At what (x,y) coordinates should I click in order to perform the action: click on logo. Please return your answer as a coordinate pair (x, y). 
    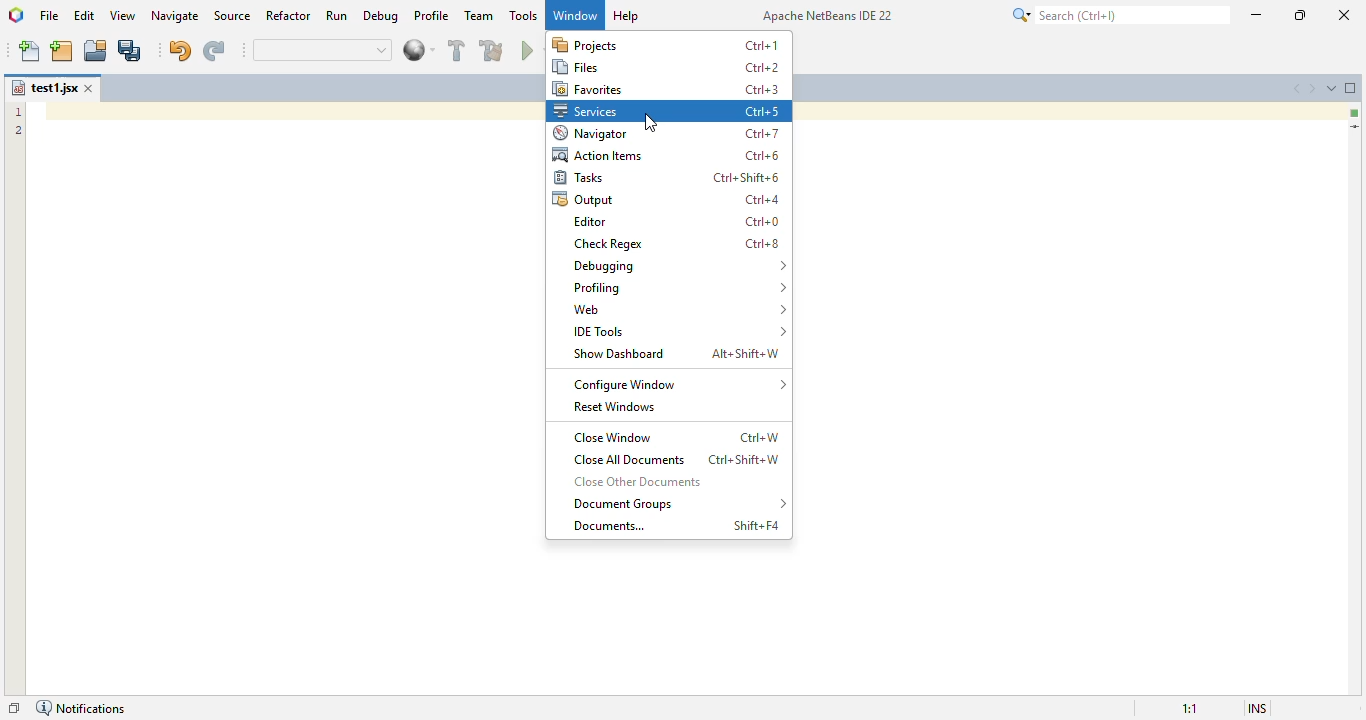
    Looking at the image, I should click on (16, 14).